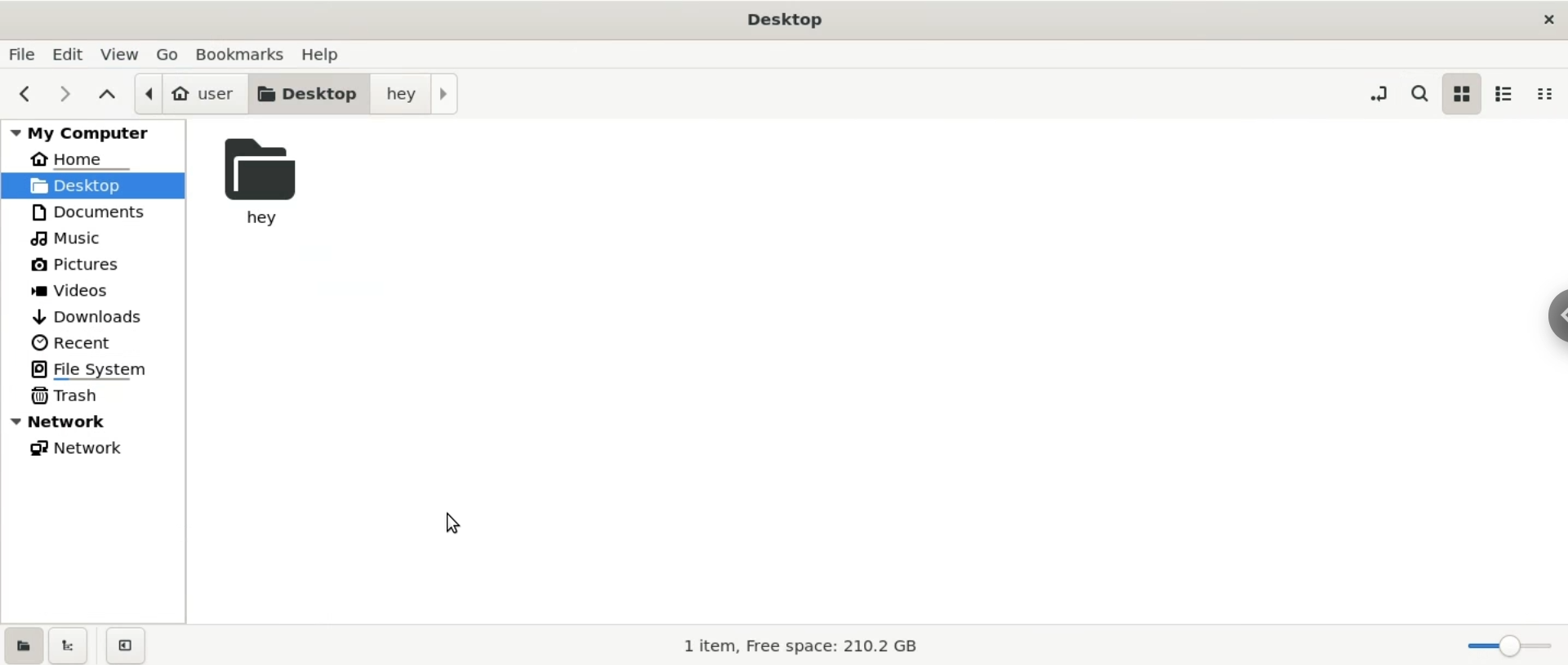 This screenshot has width=1568, height=665. I want to click on parent folders, so click(108, 92).